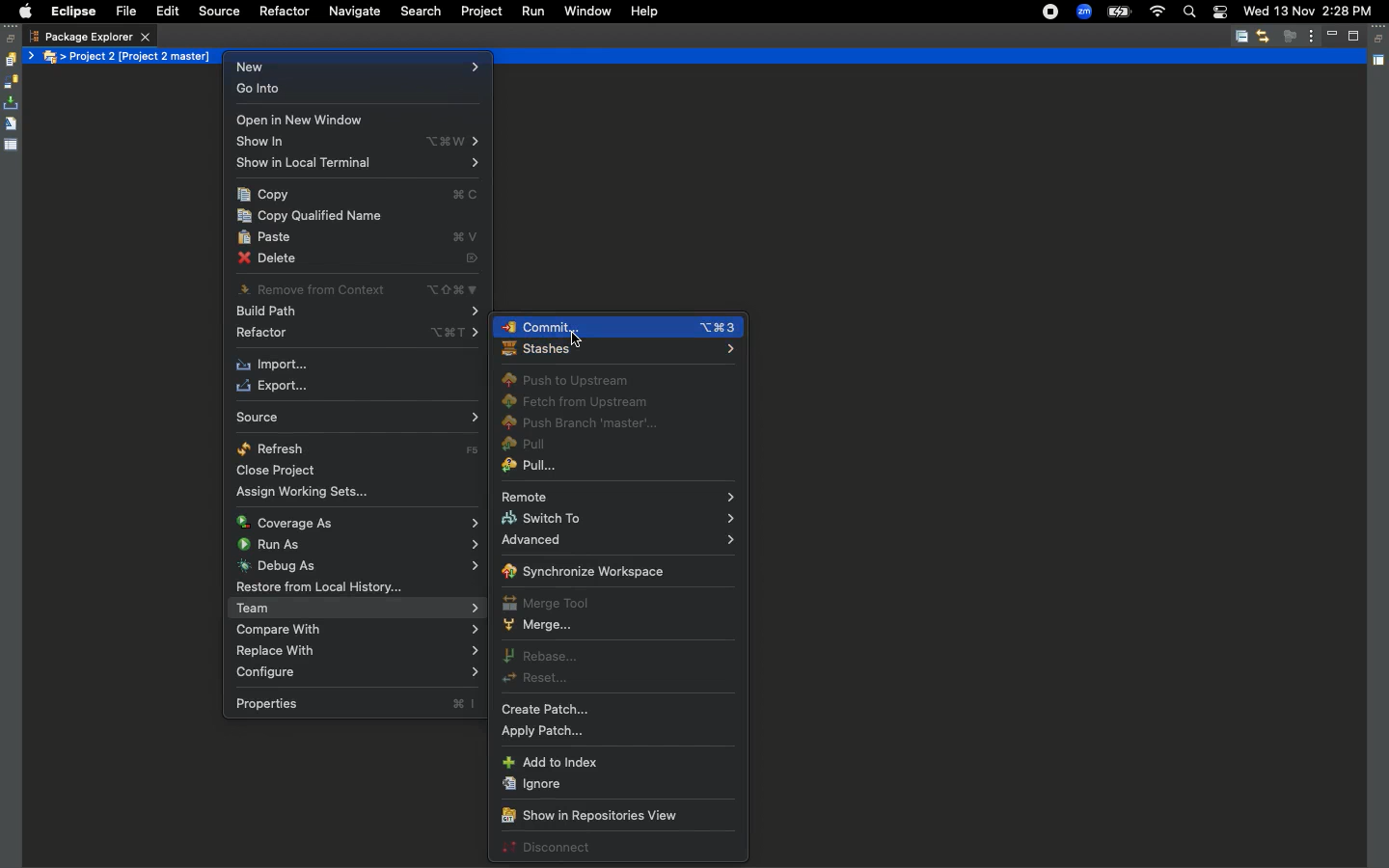 This screenshot has height=868, width=1389. I want to click on History, so click(10, 60).